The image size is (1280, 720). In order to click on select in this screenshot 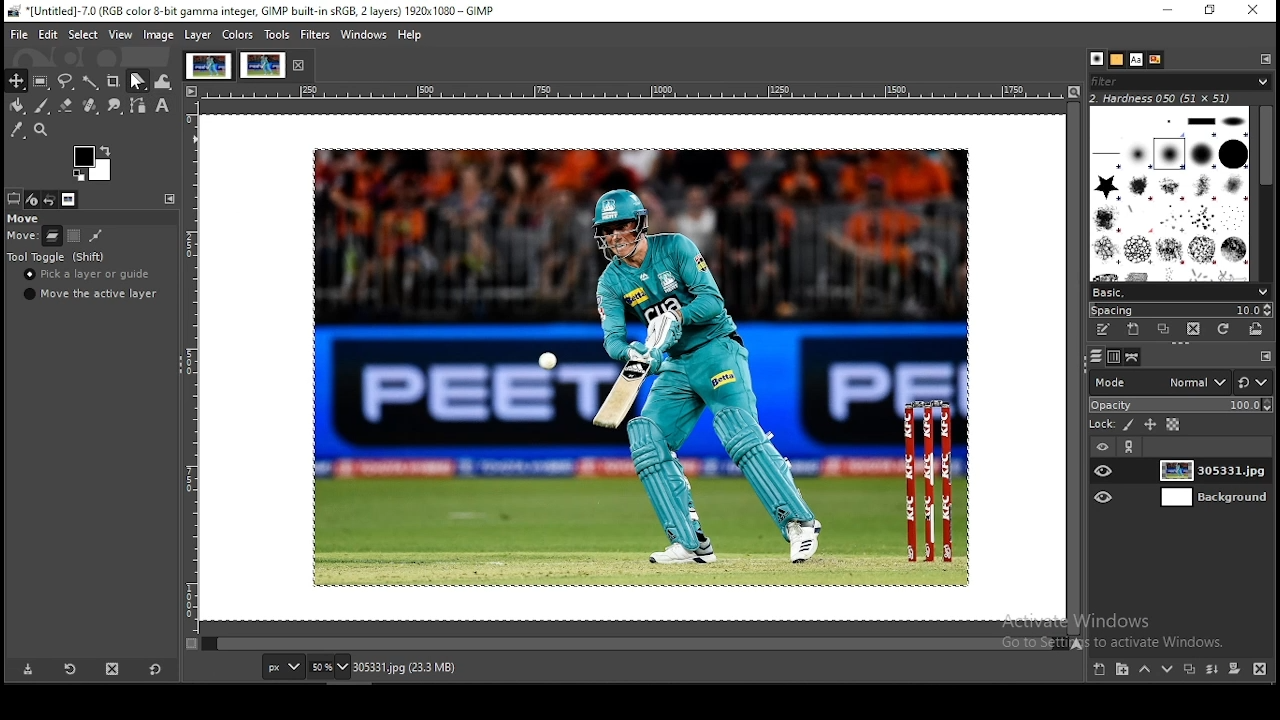, I will do `click(83, 33)`.